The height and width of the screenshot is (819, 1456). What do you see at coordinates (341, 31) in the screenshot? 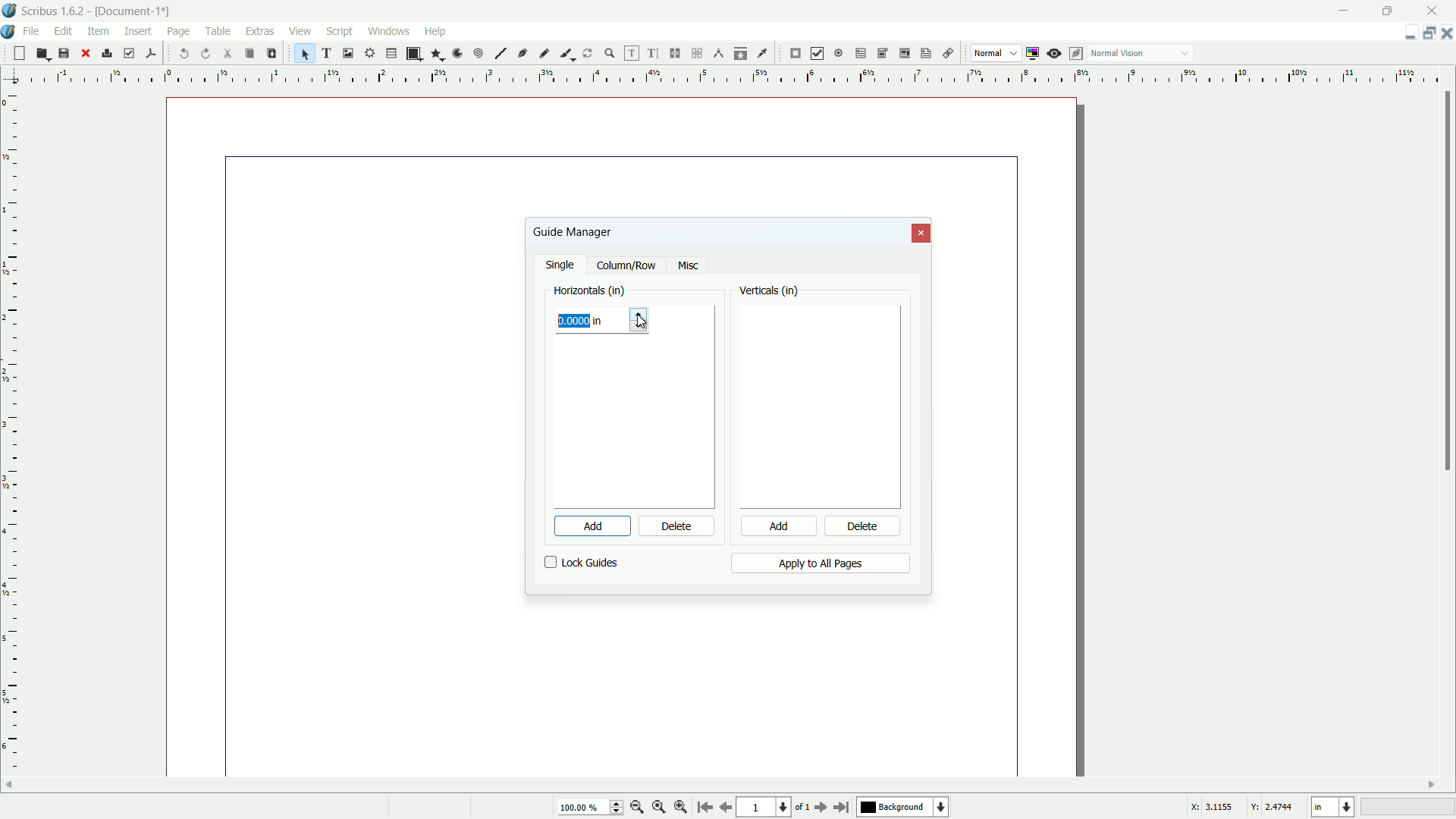
I see `script menu` at bounding box center [341, 31].